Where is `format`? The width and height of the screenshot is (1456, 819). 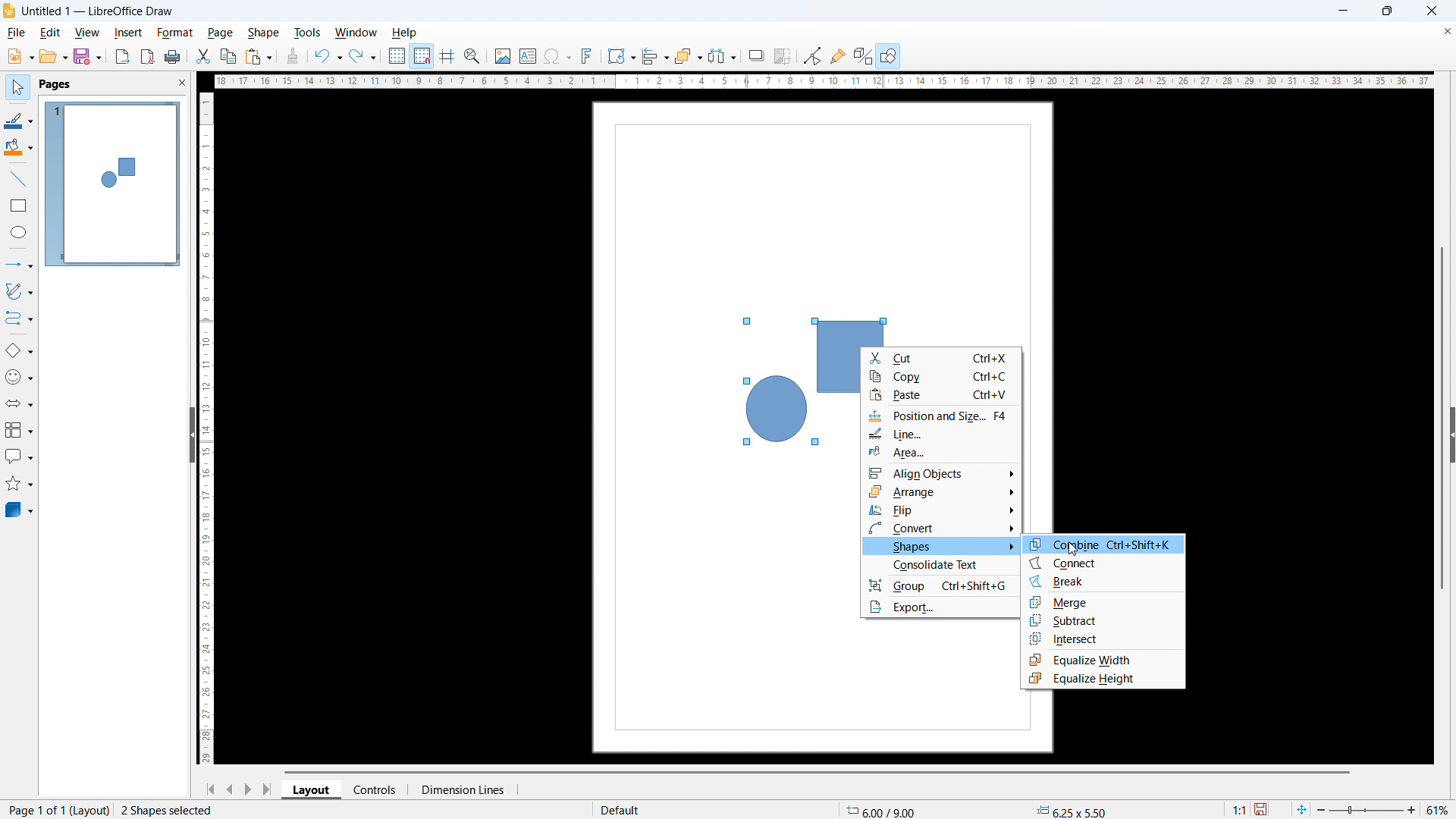
format is located at coordinates (175, 33).